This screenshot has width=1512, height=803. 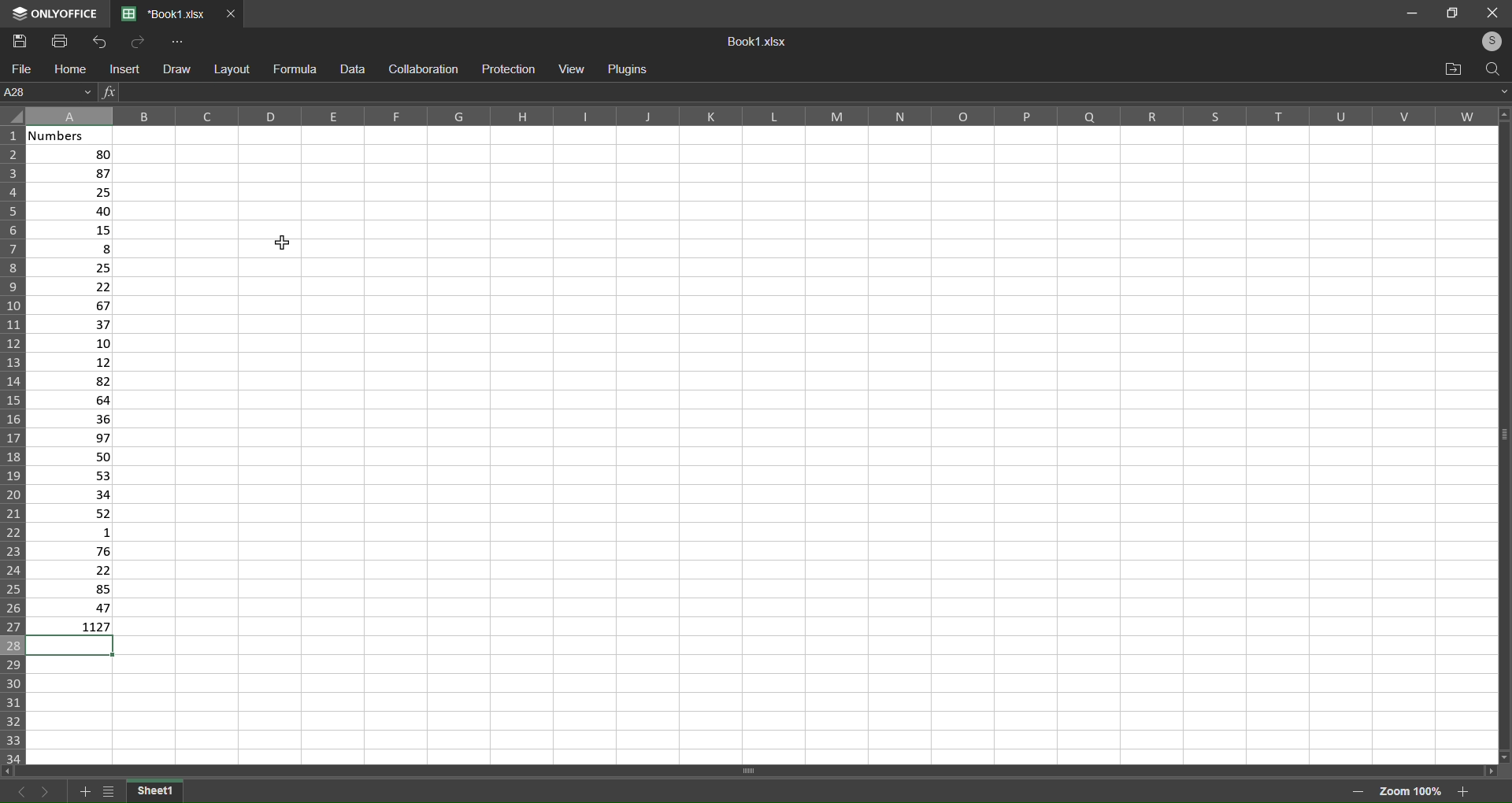 What do you see at coordinates (570, 71) in the screenshot?
I see `view` at bounding box center [570, 71].